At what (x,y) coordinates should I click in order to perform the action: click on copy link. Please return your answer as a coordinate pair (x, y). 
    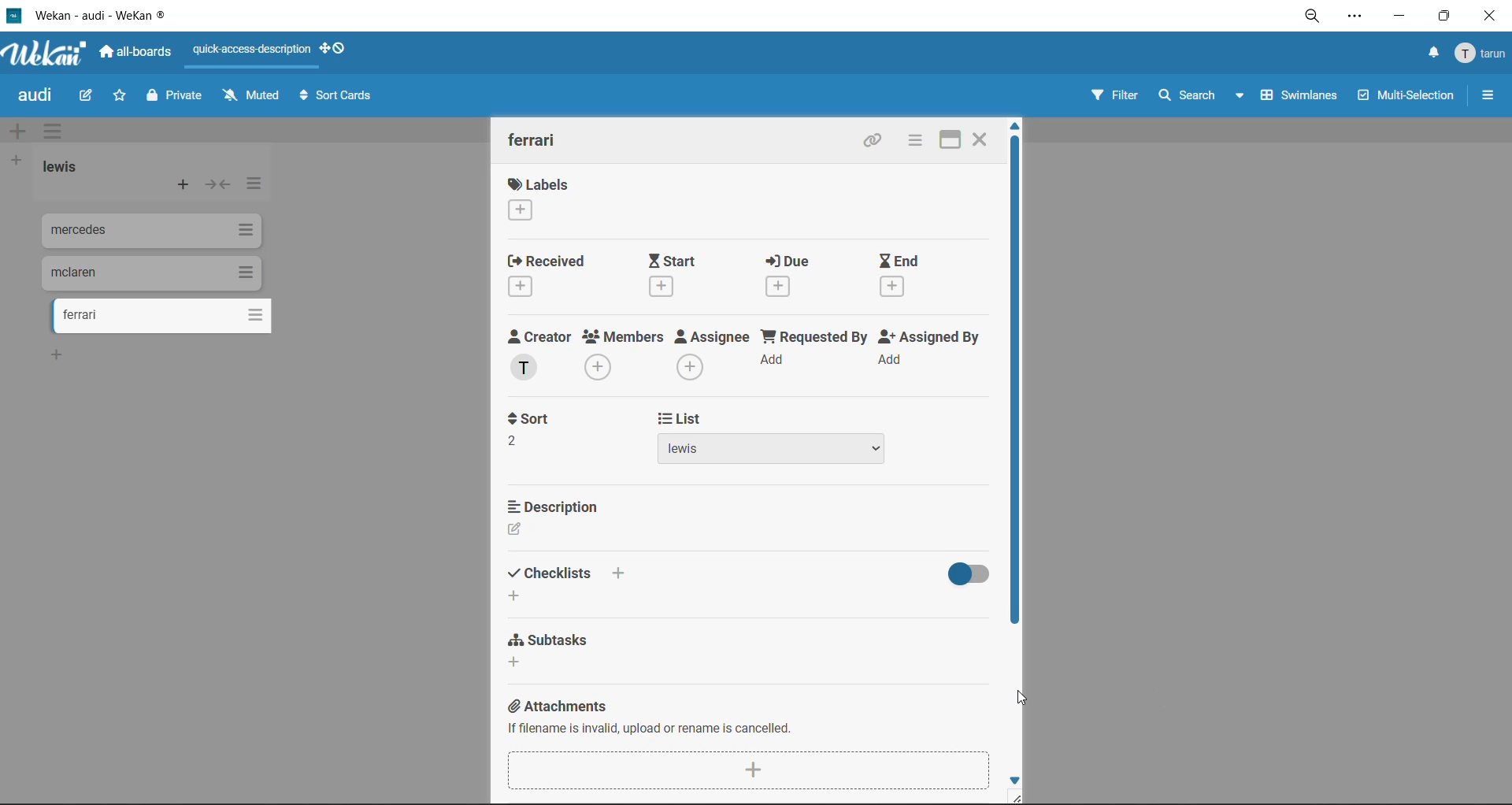
    Looking at the image, I should click on (872, 143).